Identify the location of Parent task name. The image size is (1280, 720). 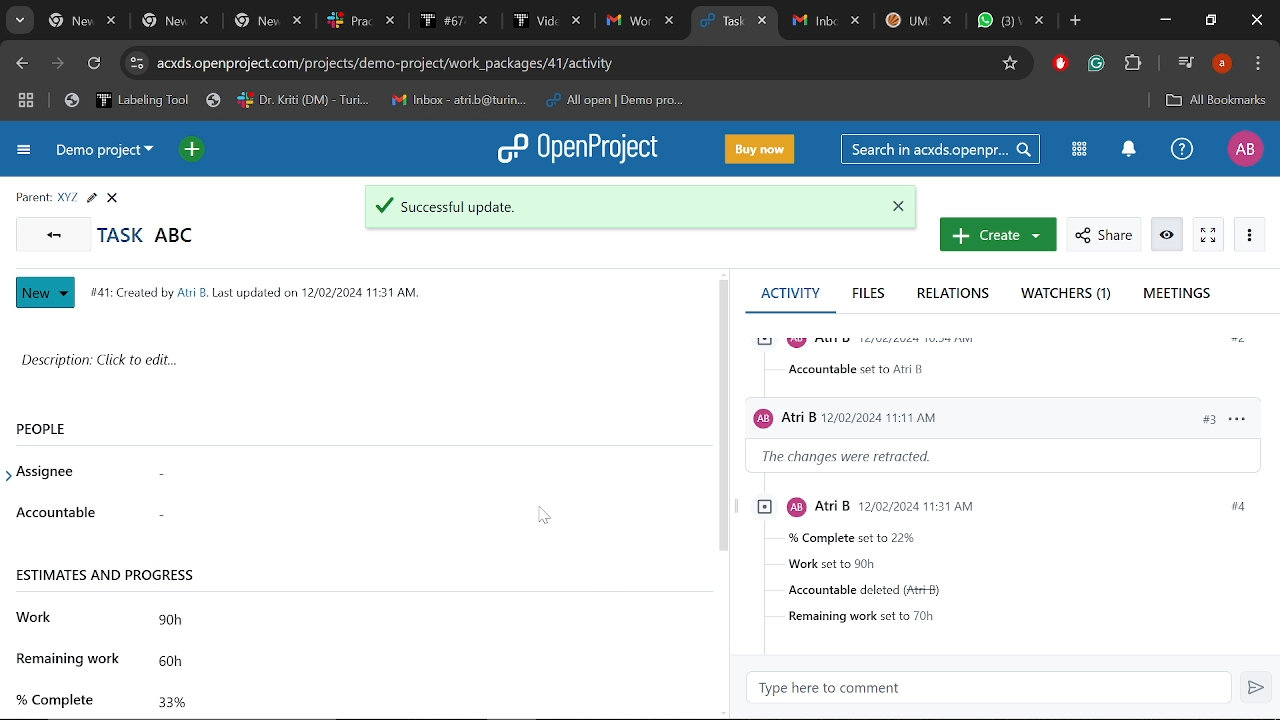
(66, 198).